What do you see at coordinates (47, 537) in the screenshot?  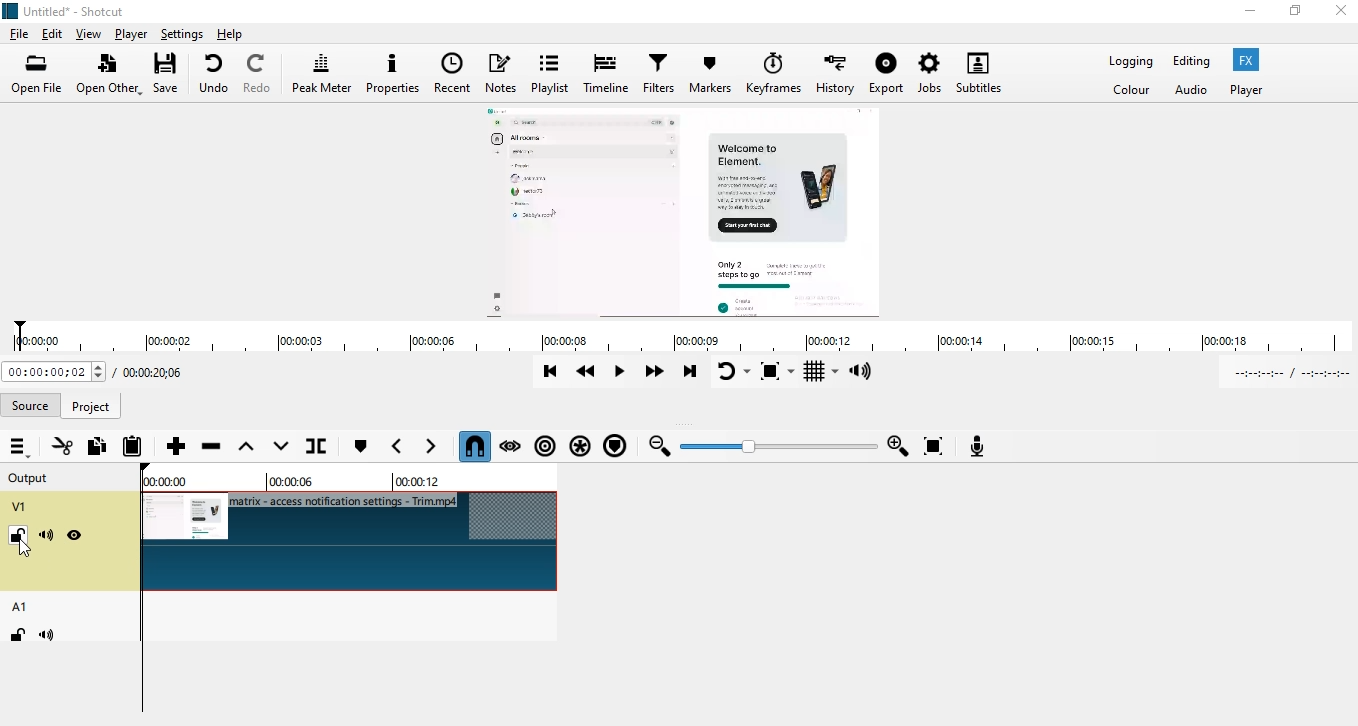 I see `mute` at bounding box center [47, 537].